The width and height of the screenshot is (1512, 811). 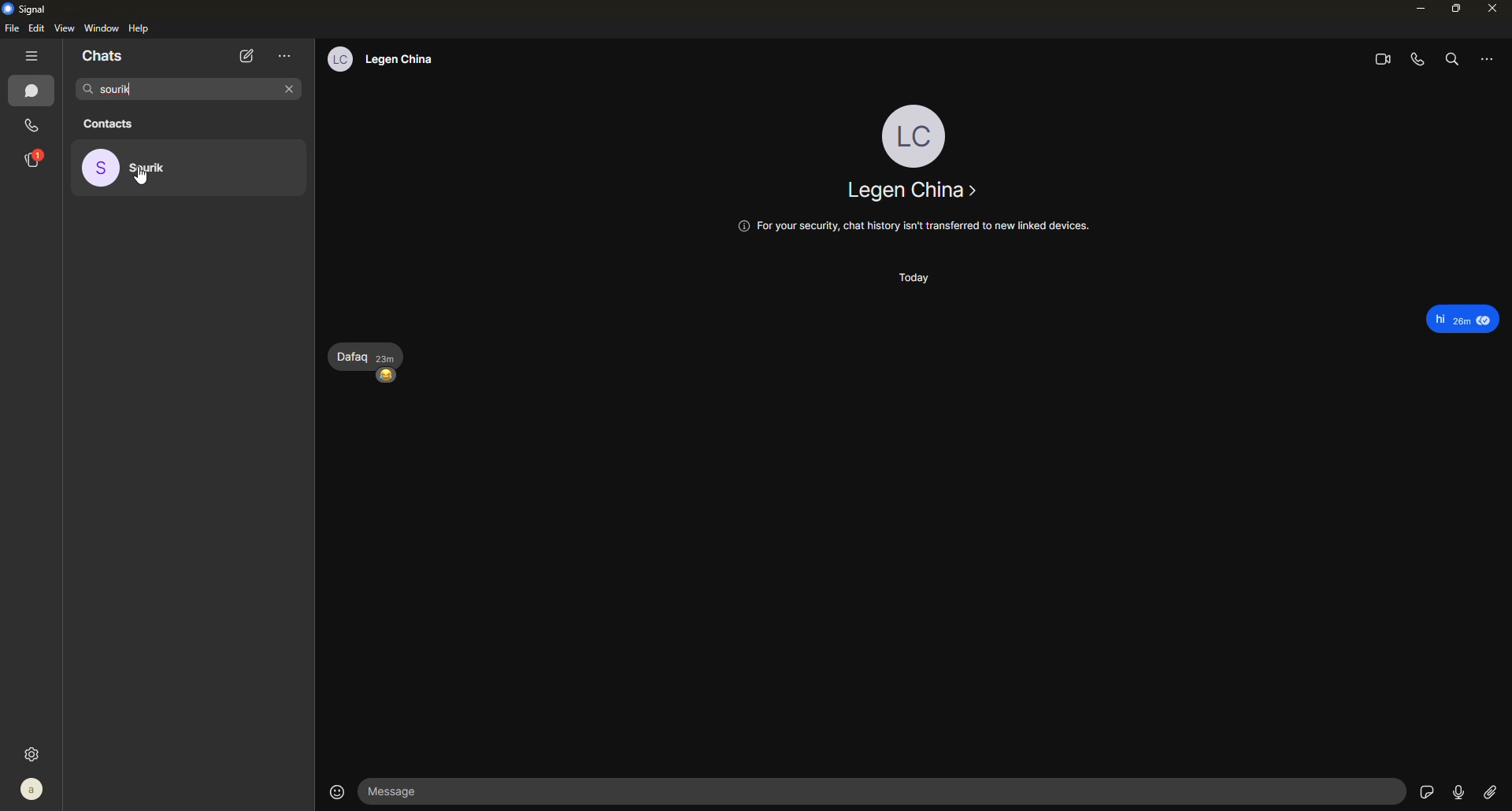 What do you see at coordinates (1458, 12) in the screenshot?
I see `maximize` at bounding box center [1458, 12].